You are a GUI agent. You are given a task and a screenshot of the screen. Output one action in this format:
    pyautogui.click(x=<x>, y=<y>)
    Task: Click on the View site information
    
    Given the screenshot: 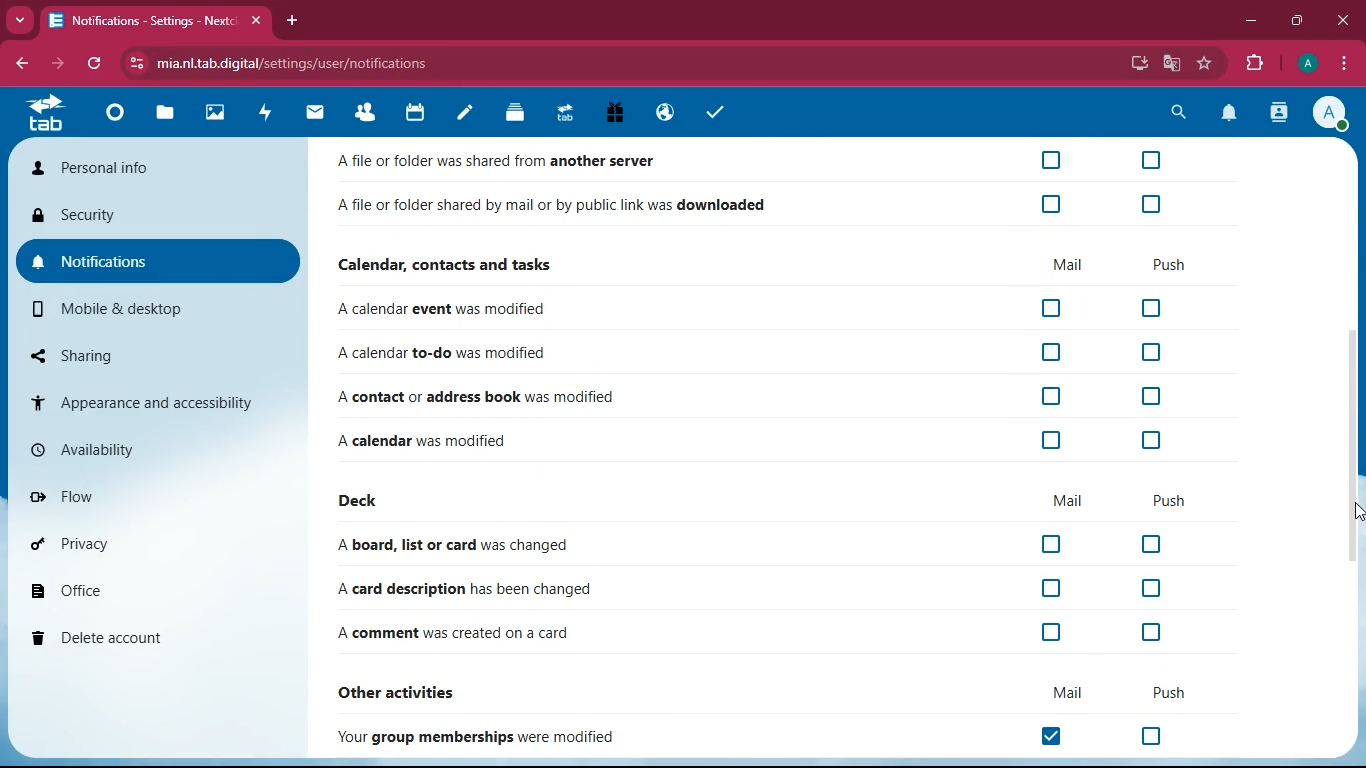 What is the action you would take?
    pyautogui.click(x=133, y=64)
    